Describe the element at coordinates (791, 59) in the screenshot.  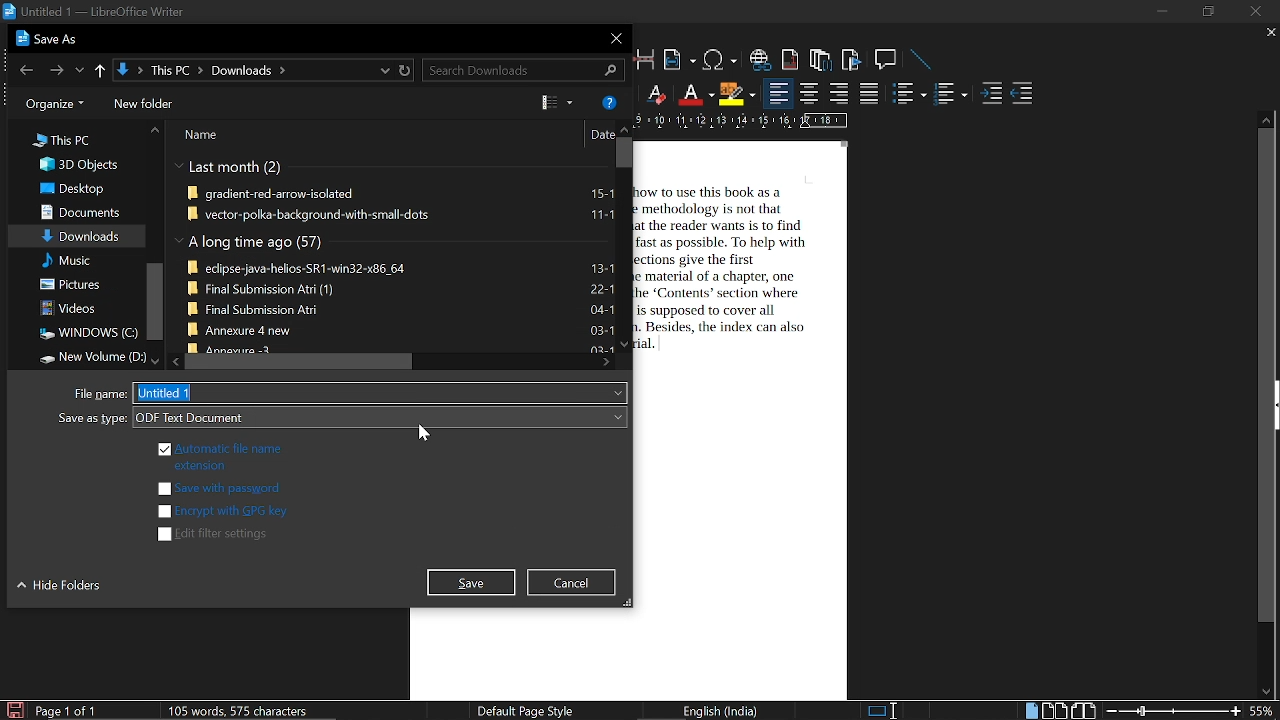
I see `insert footnote` at that location.